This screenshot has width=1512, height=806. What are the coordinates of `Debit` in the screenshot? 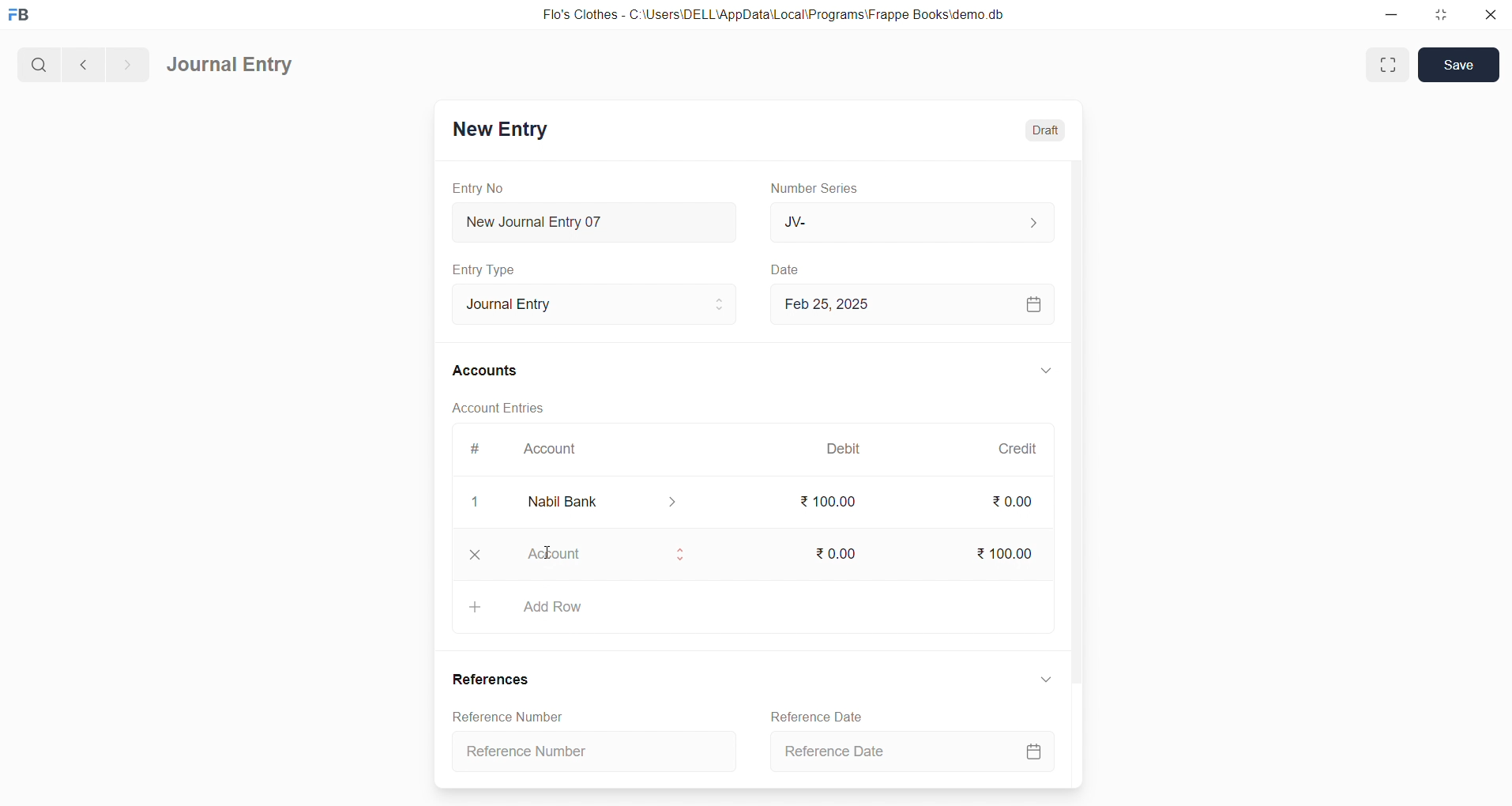 It's located at (844, 447).